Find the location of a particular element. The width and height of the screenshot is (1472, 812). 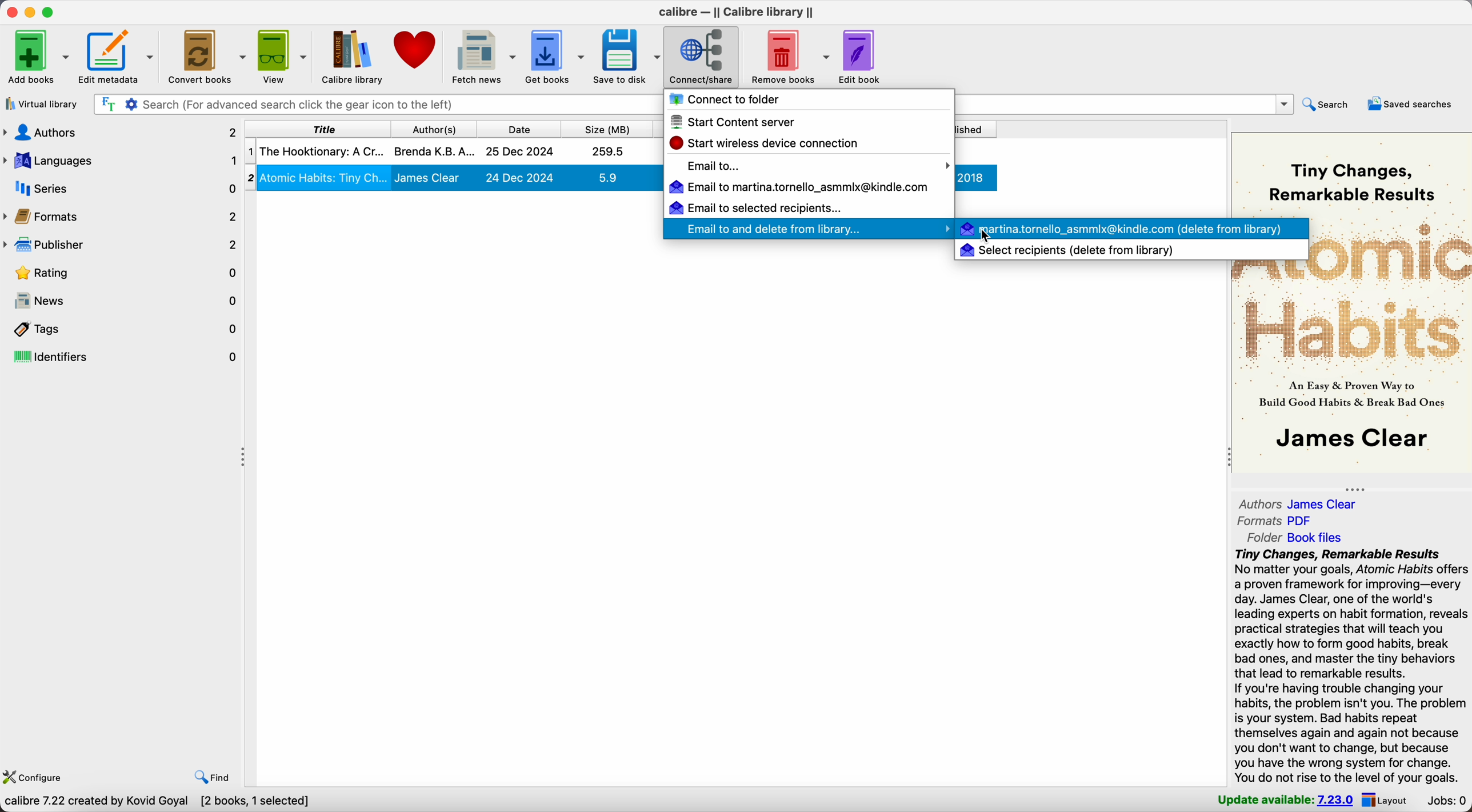

start content server is located at coordinates (740, 123).